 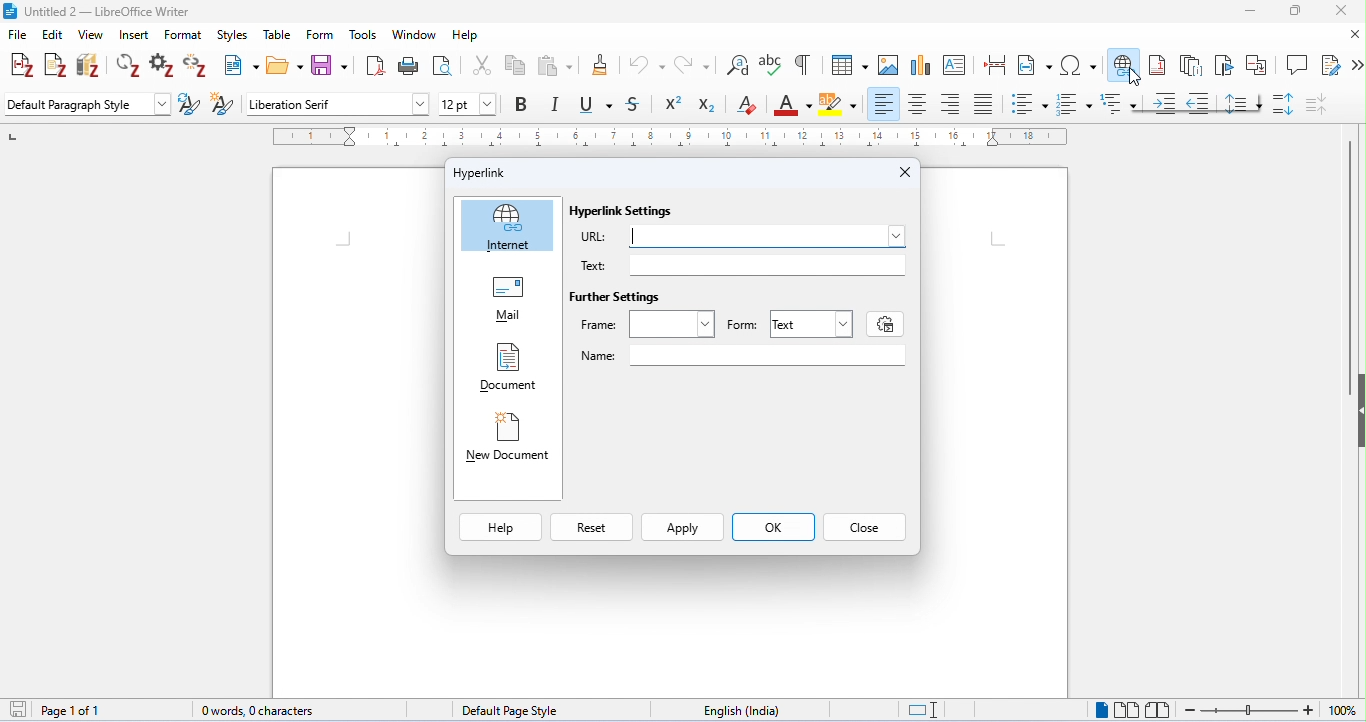 What do you see at coordinates (1285, 104) in the screenshot?
I see `paragraph spacing` at bounding box center [1285, 104].